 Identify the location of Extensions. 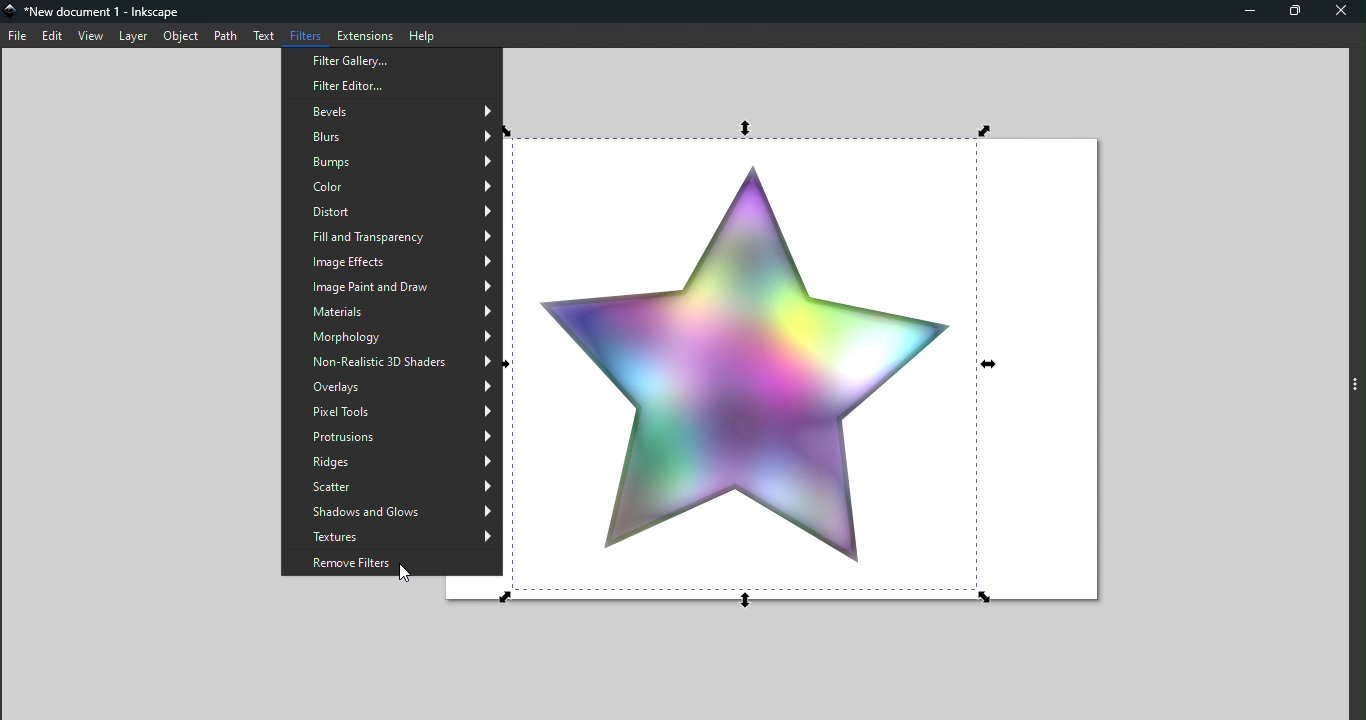
(364, 35).